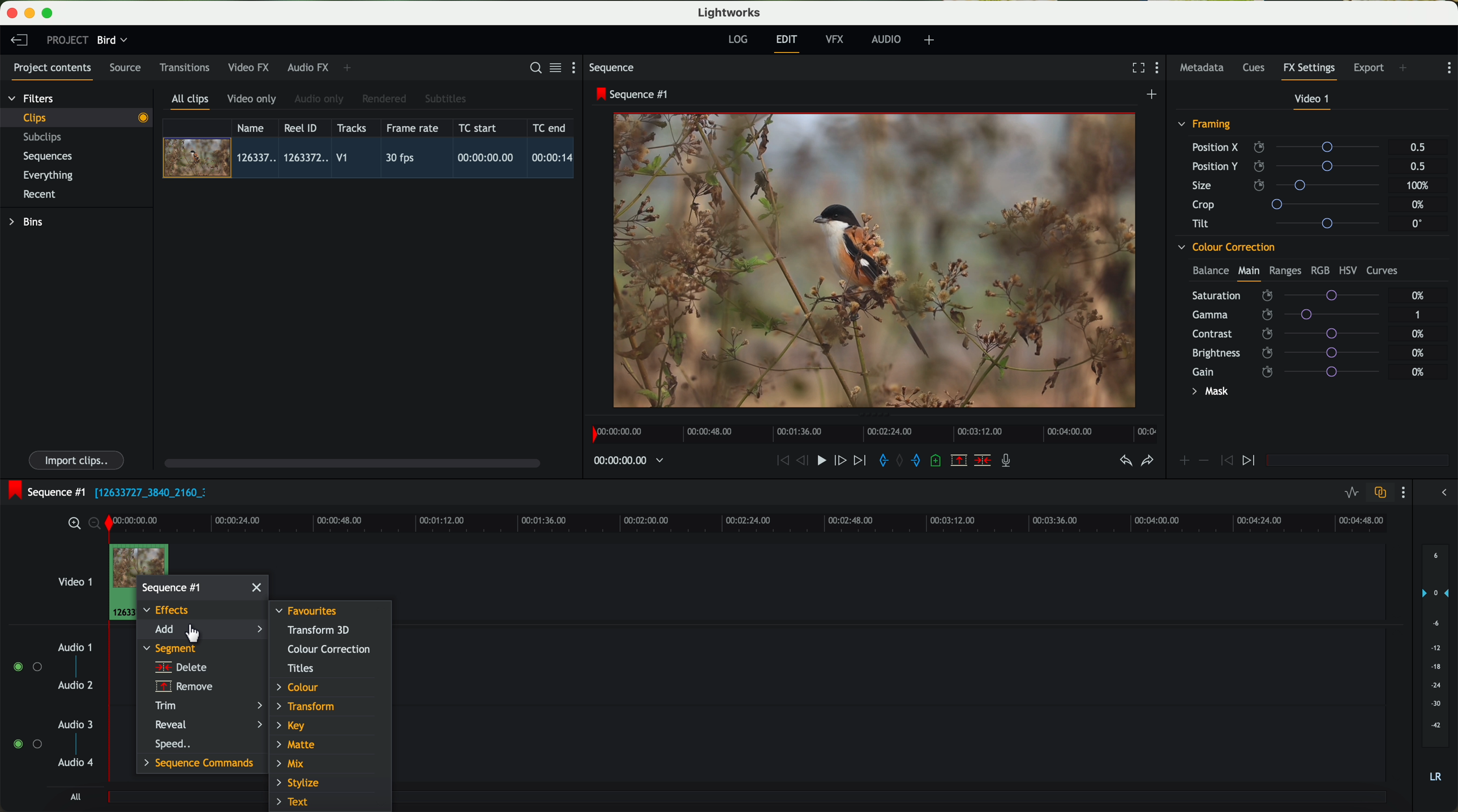 This screenshot has height=812, width=1458. Describe the element at coordinates (983, 461) in the screenshot. I see `delete/cut` at that location.